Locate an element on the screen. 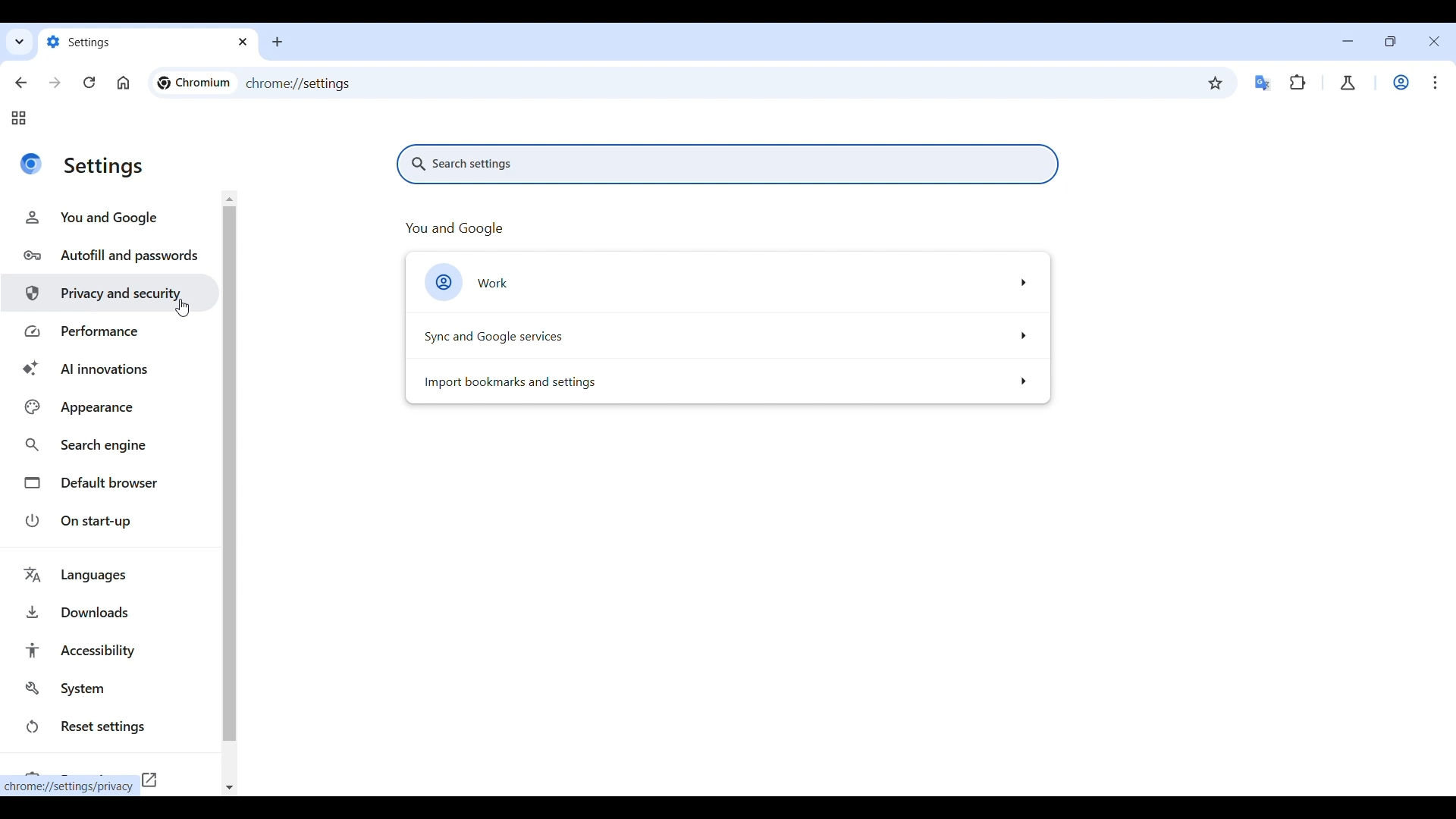  Tab name changed is located at coordinates (147, 43).